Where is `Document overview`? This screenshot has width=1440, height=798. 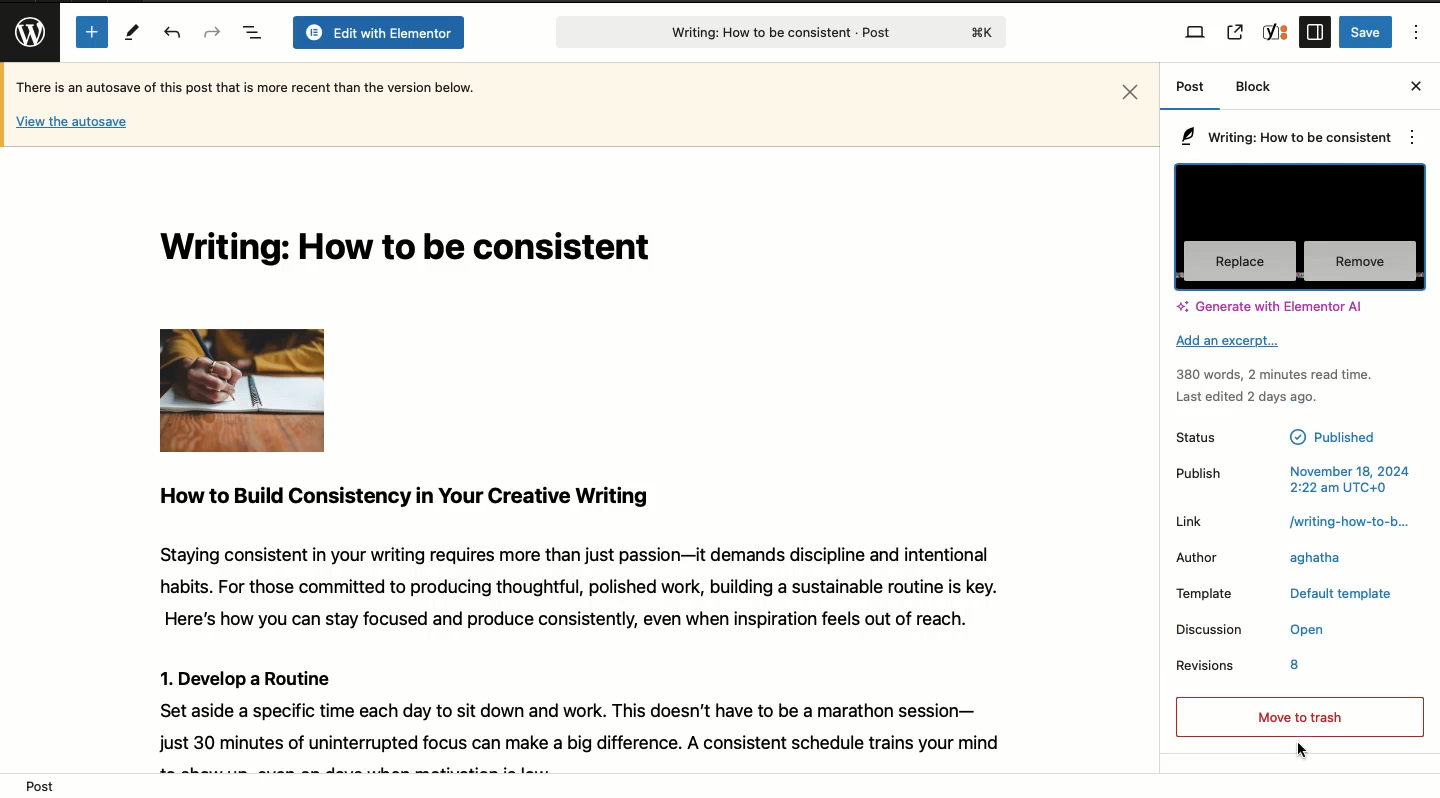
Document overview is located at coordinates (253, 34).